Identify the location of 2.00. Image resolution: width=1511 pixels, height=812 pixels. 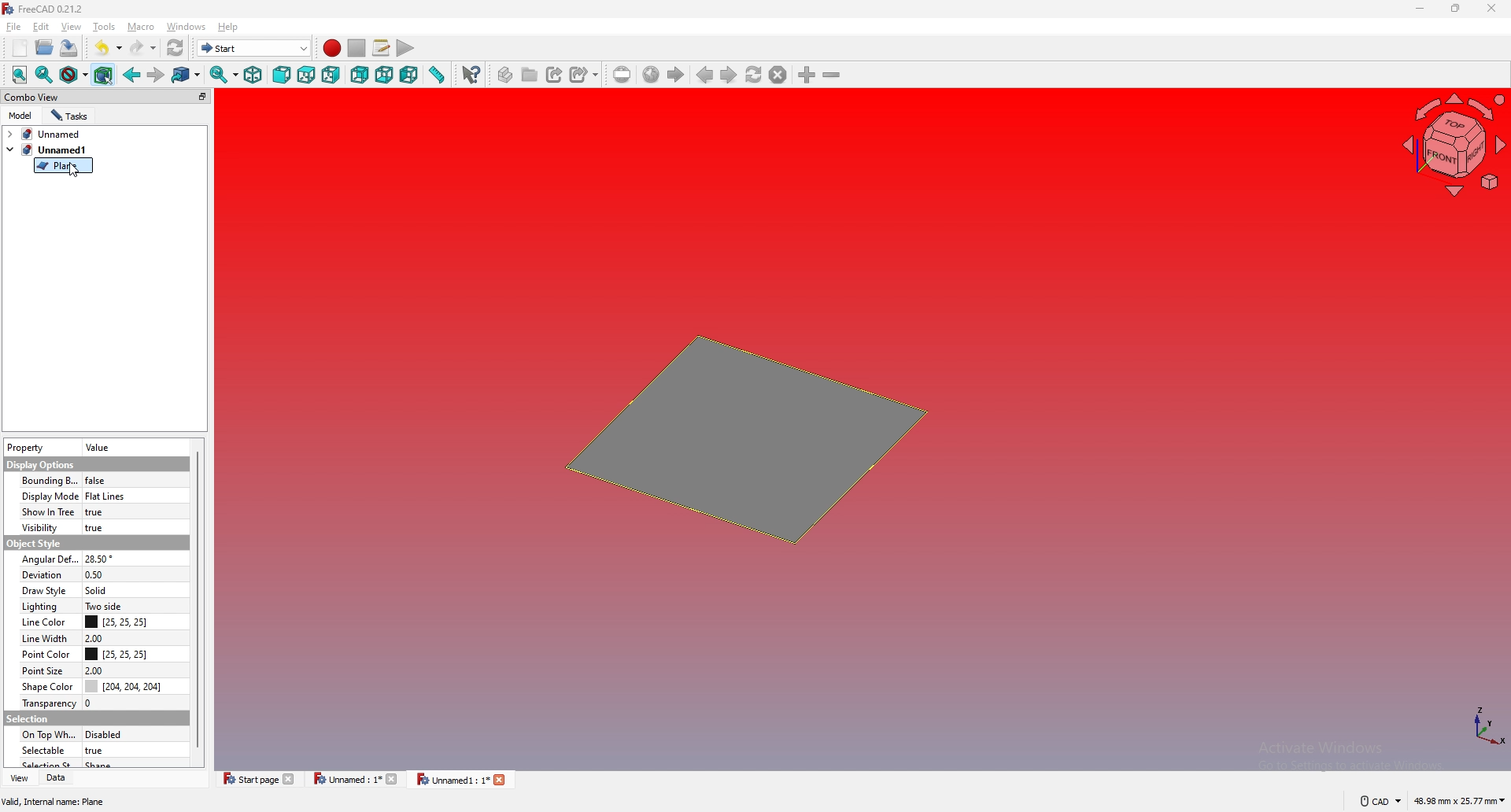
(98, 638).